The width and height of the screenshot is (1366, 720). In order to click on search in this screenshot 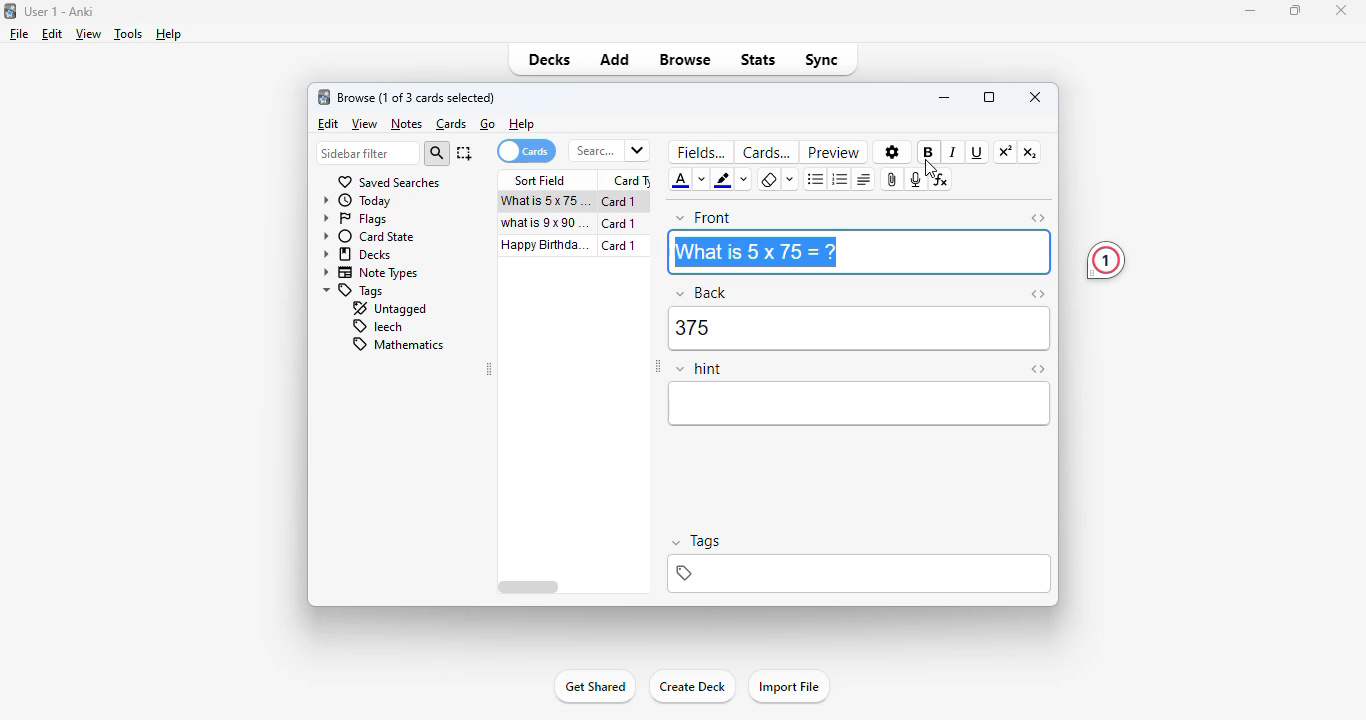, I will do `click(610, 151)`.